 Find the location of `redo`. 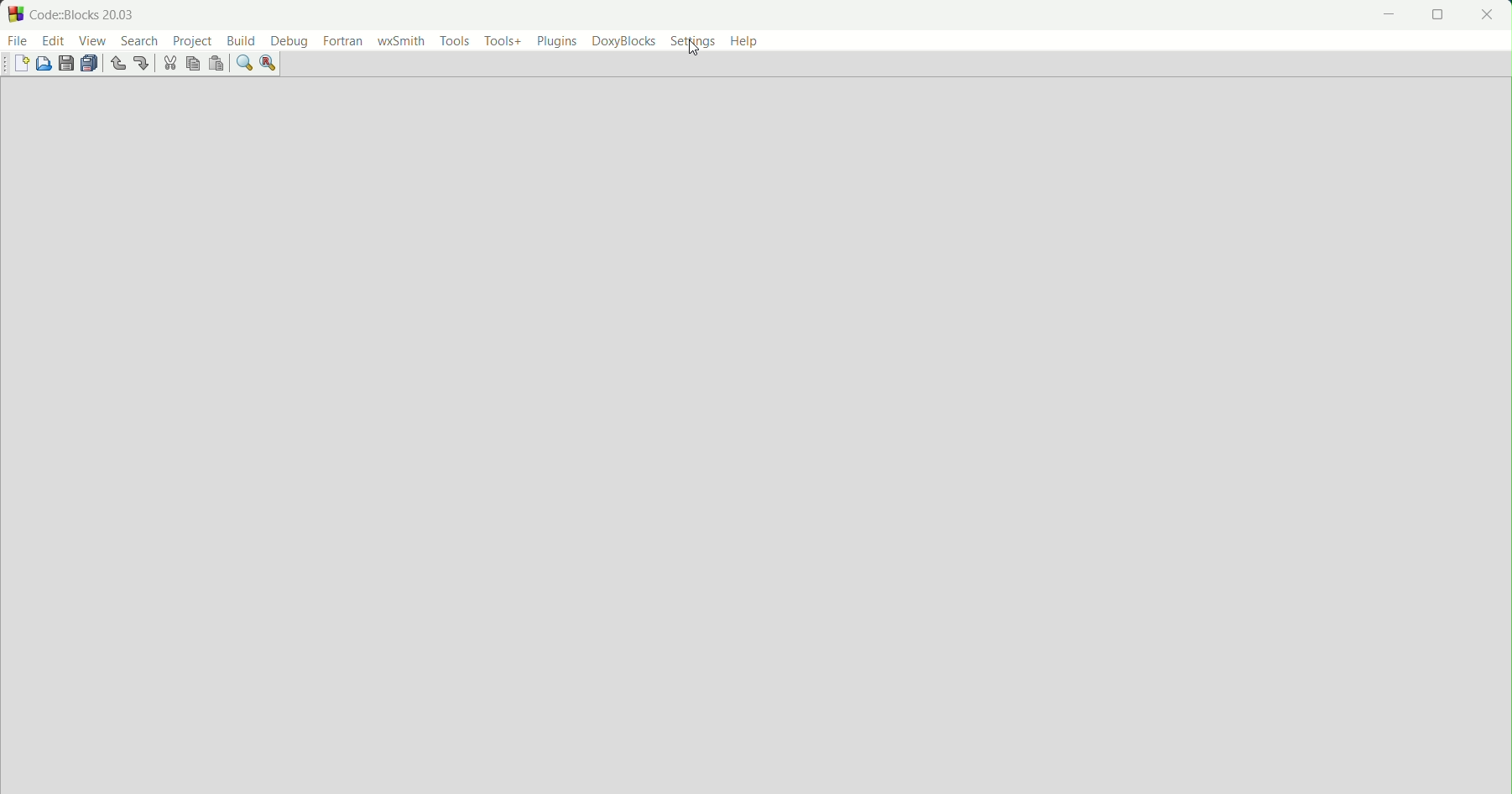

redo is located at coordinates (141, 62).